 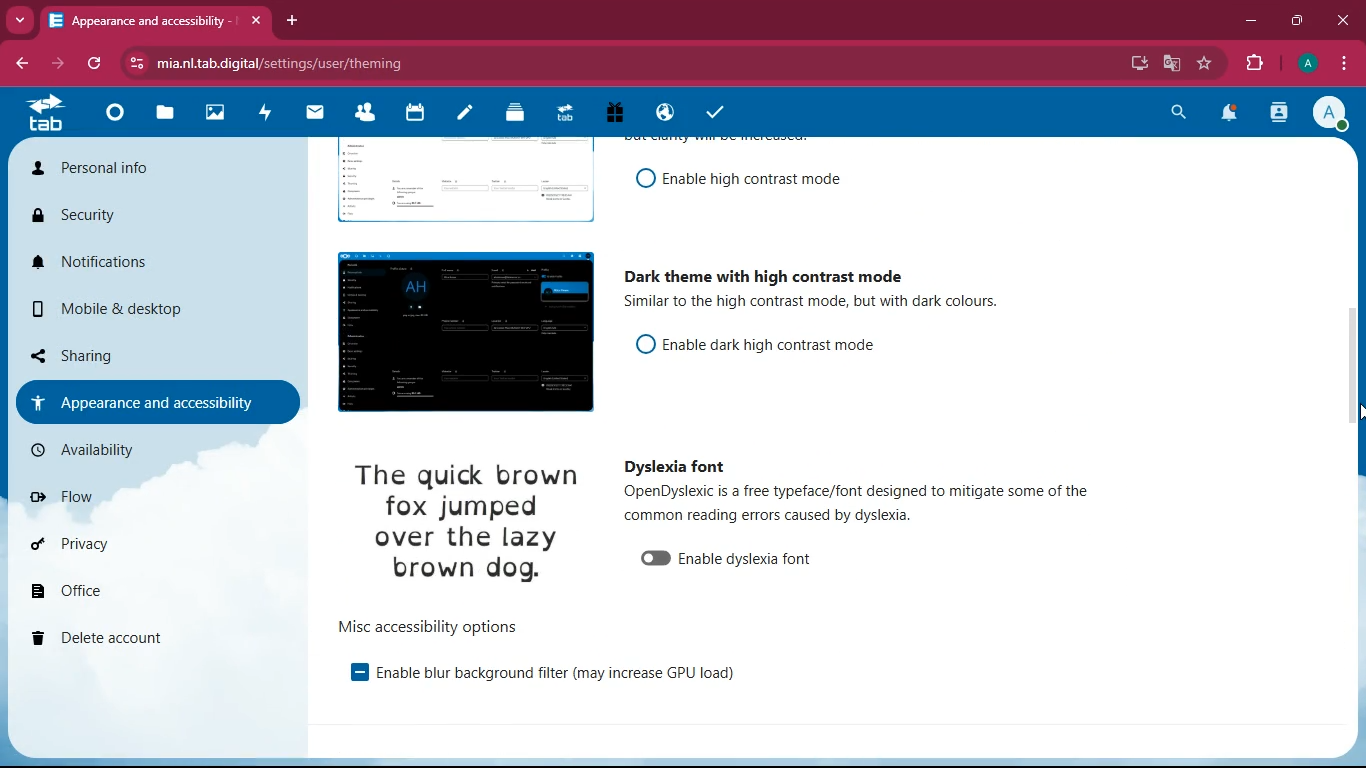 I want to click on enable, so click(x=747, y=560).